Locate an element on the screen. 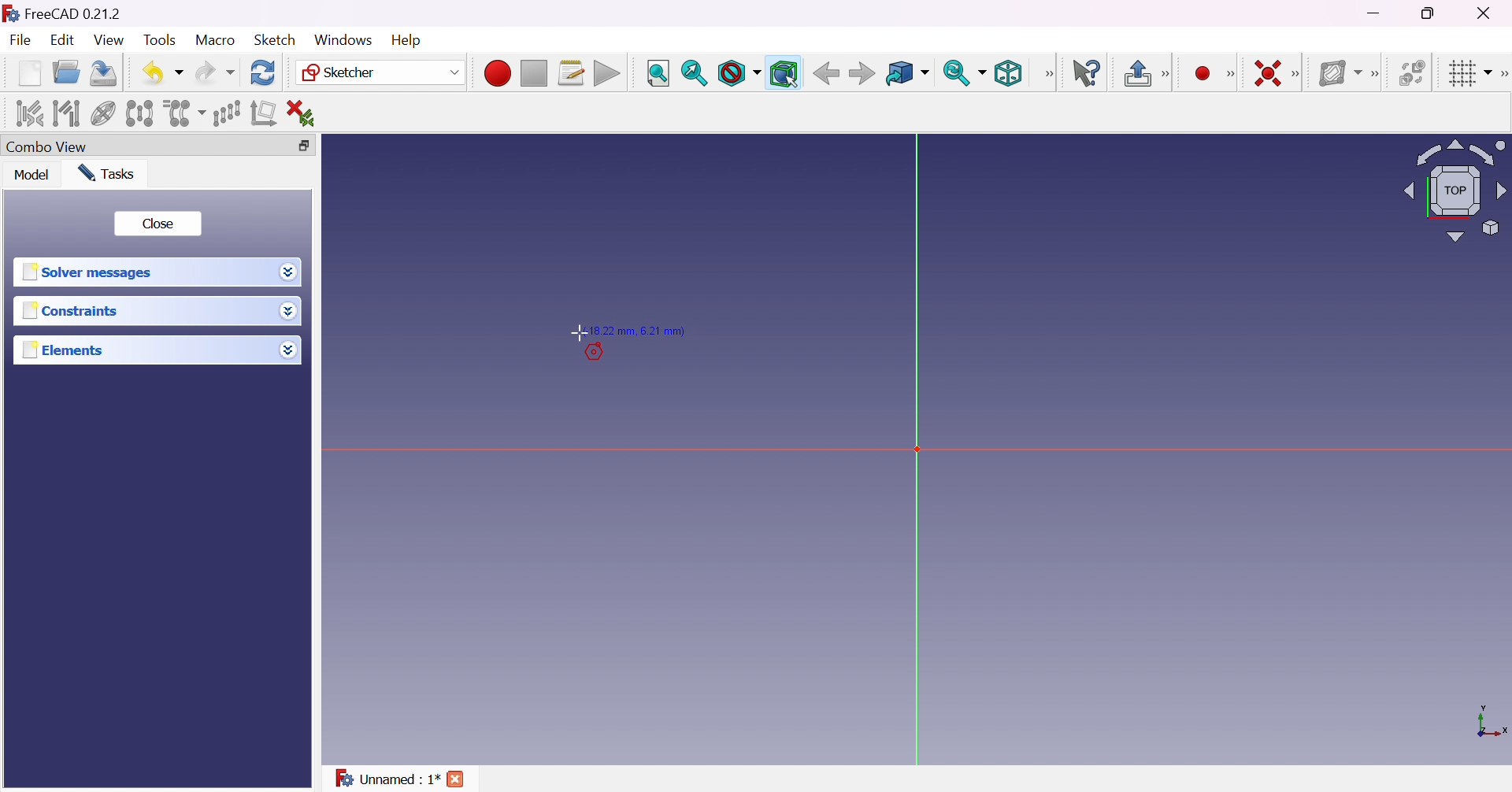  Cursor is located at coordinates (579, 332).